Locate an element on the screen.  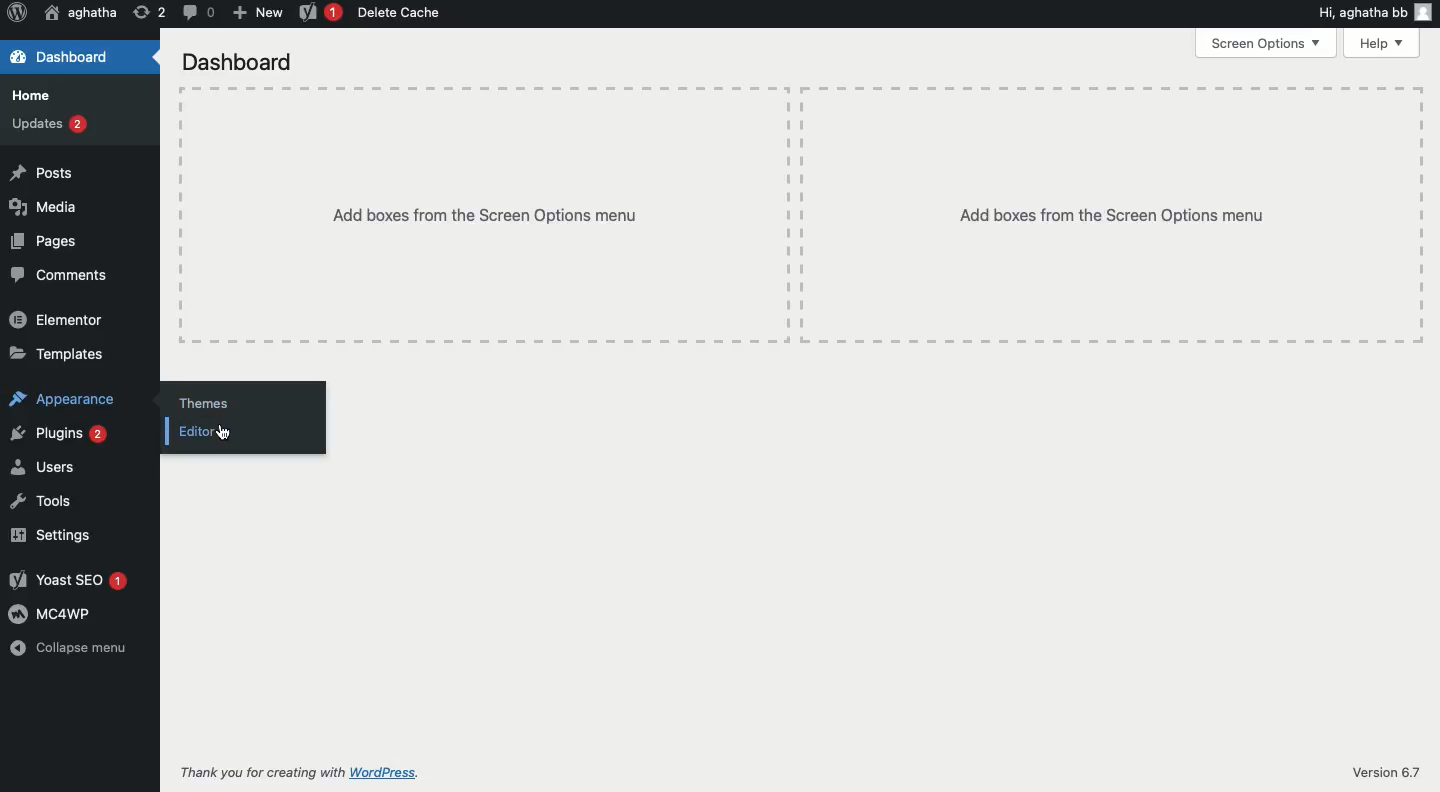
Screen options is located at coordinates (1267, 42).